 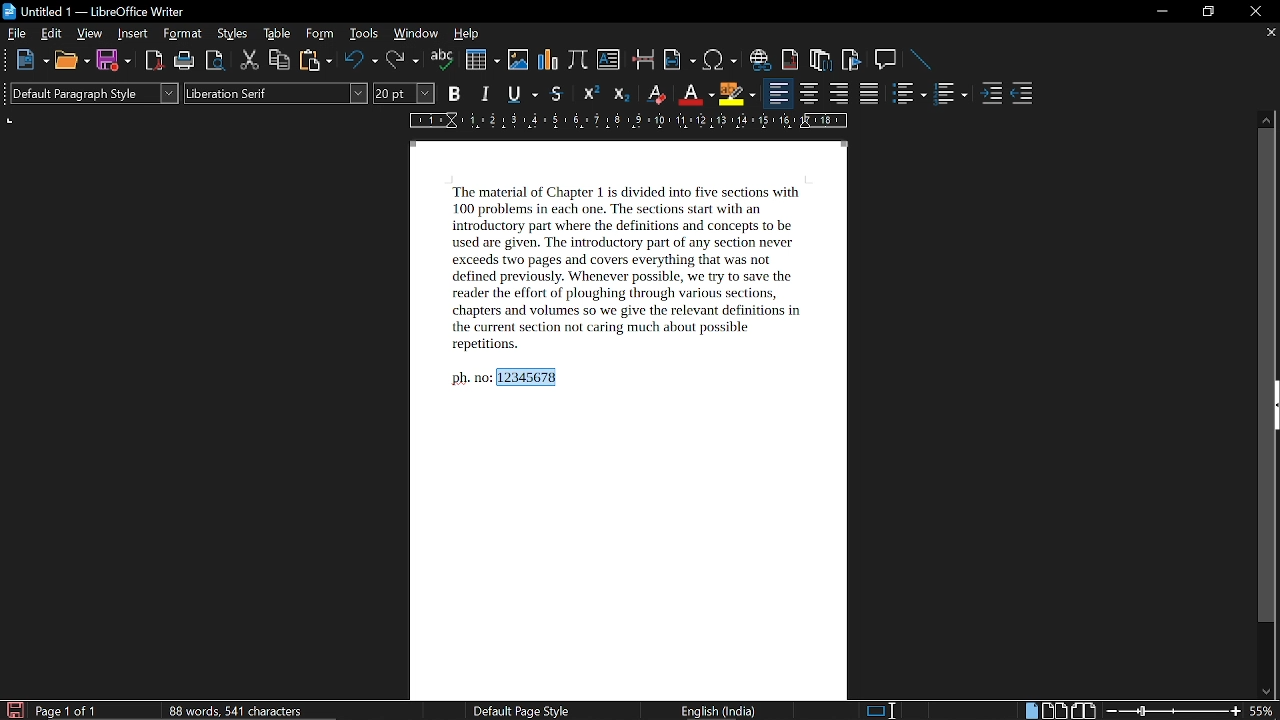 I want to click on help, so click(x=466, y=36).